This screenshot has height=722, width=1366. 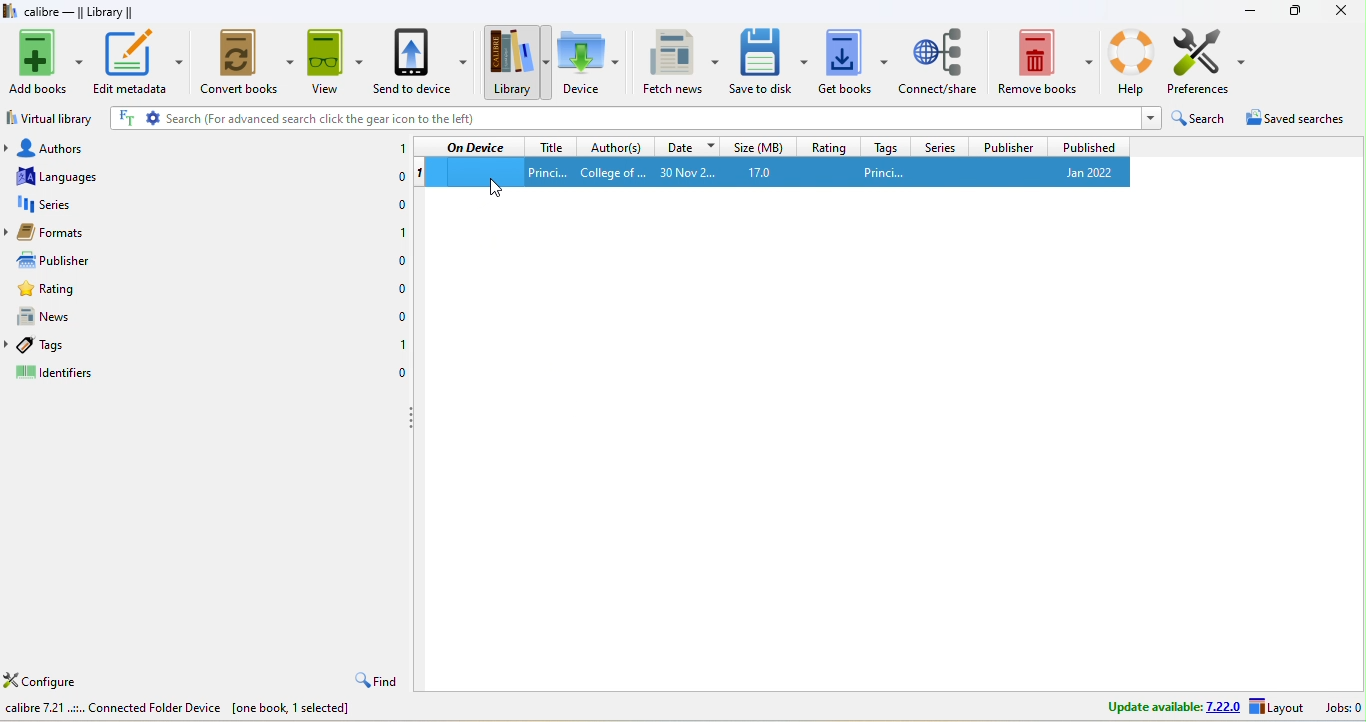 I want to click on saved searches, so click(x=1298, y=122).